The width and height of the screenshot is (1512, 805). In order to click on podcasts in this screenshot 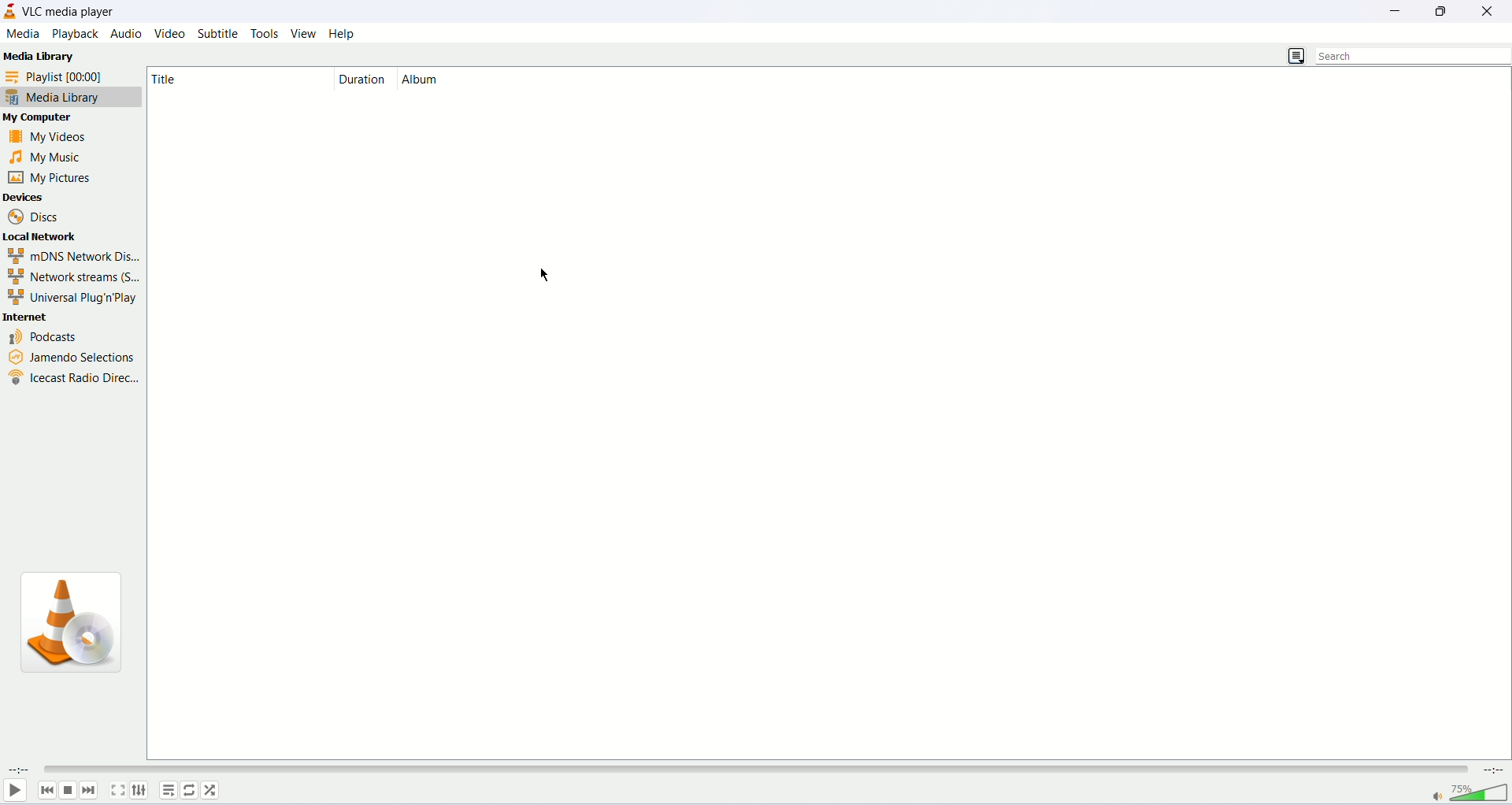, I will do `click(44, 336)`.